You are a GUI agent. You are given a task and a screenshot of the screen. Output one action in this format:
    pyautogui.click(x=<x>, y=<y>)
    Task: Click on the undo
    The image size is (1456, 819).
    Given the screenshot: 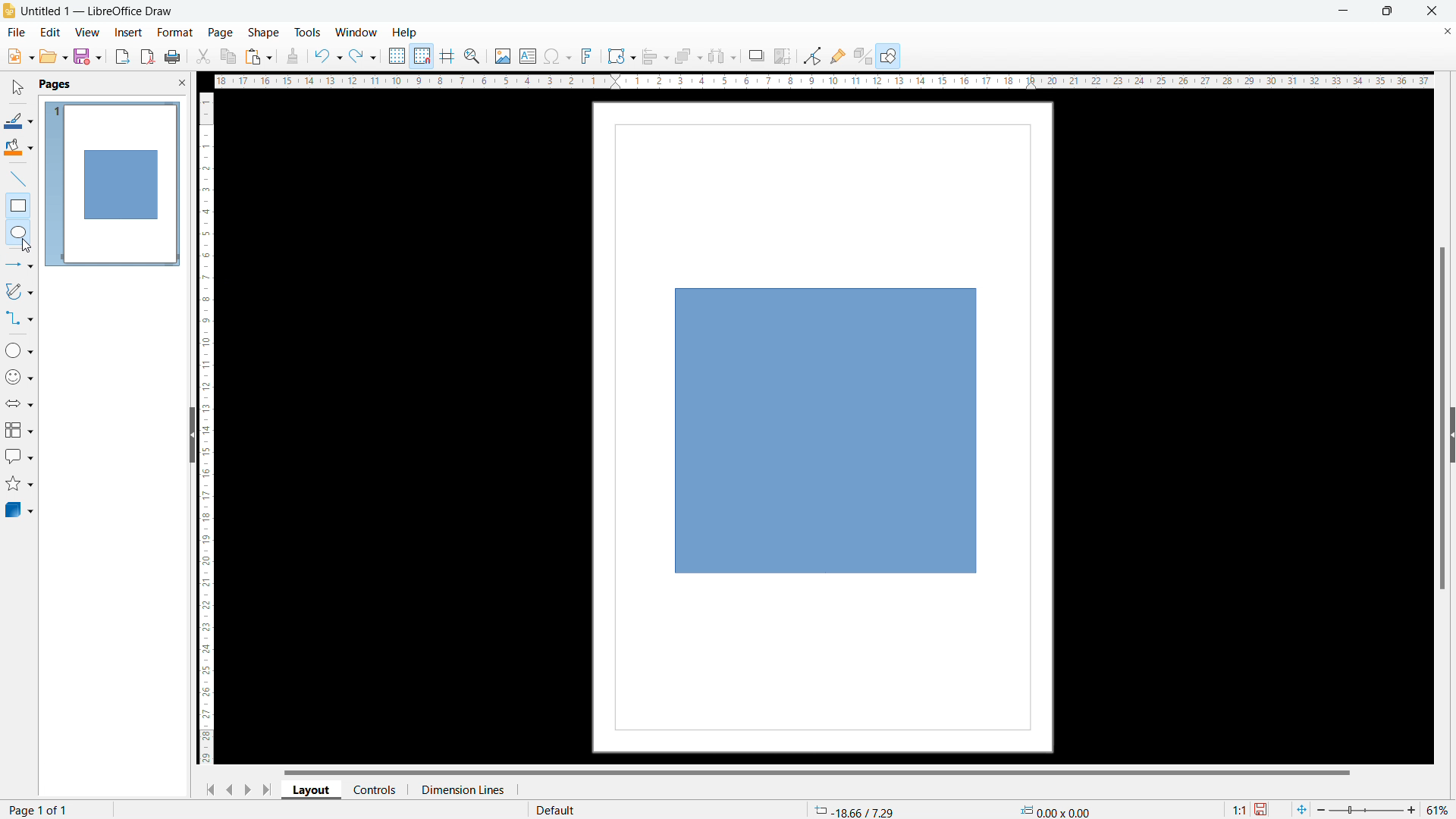 What is the action you would take?
    pyautogui.click(x=327, y=56)
    